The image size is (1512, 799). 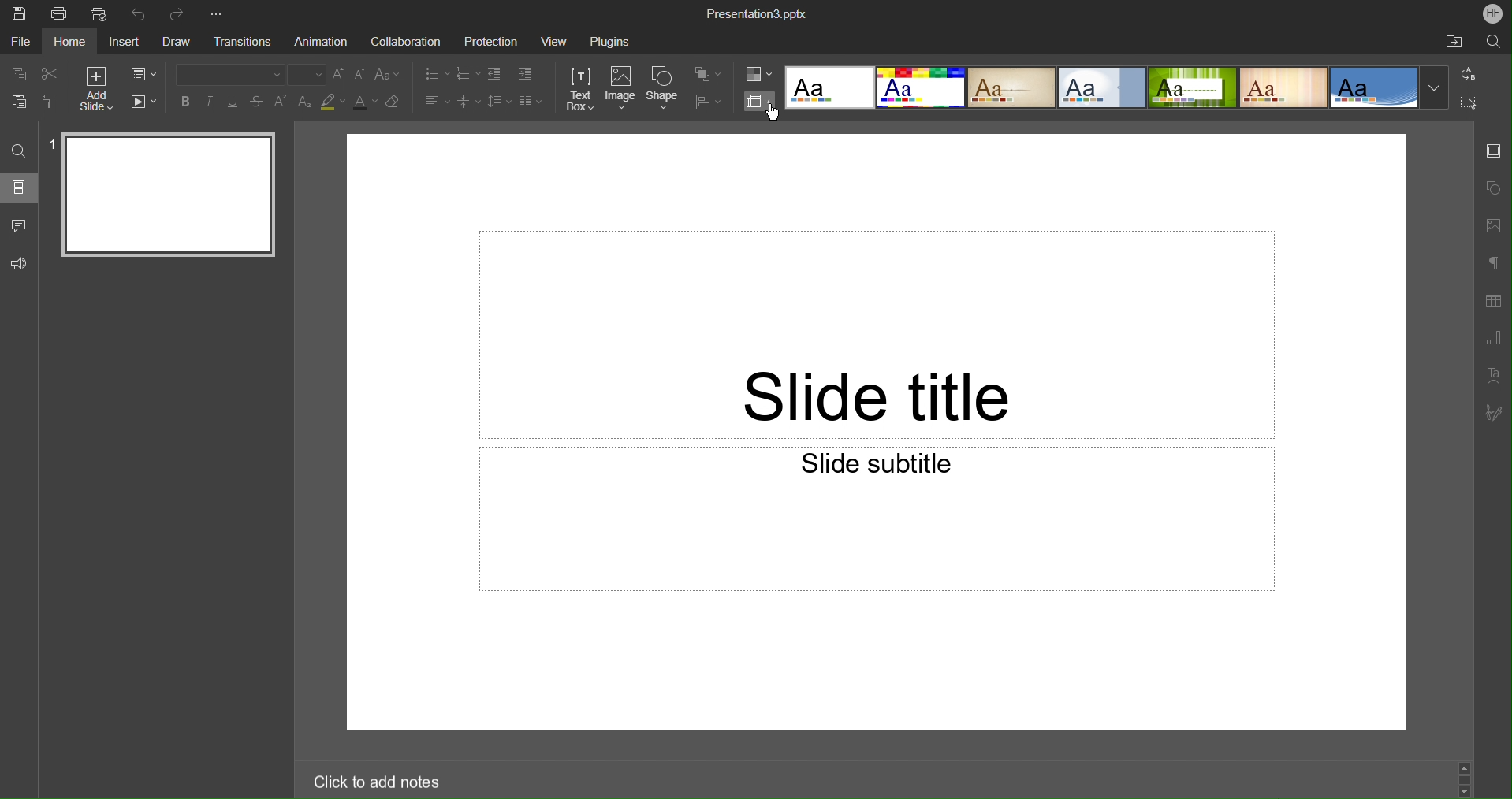 I want to click on Shape, so click(x=665, y=88).